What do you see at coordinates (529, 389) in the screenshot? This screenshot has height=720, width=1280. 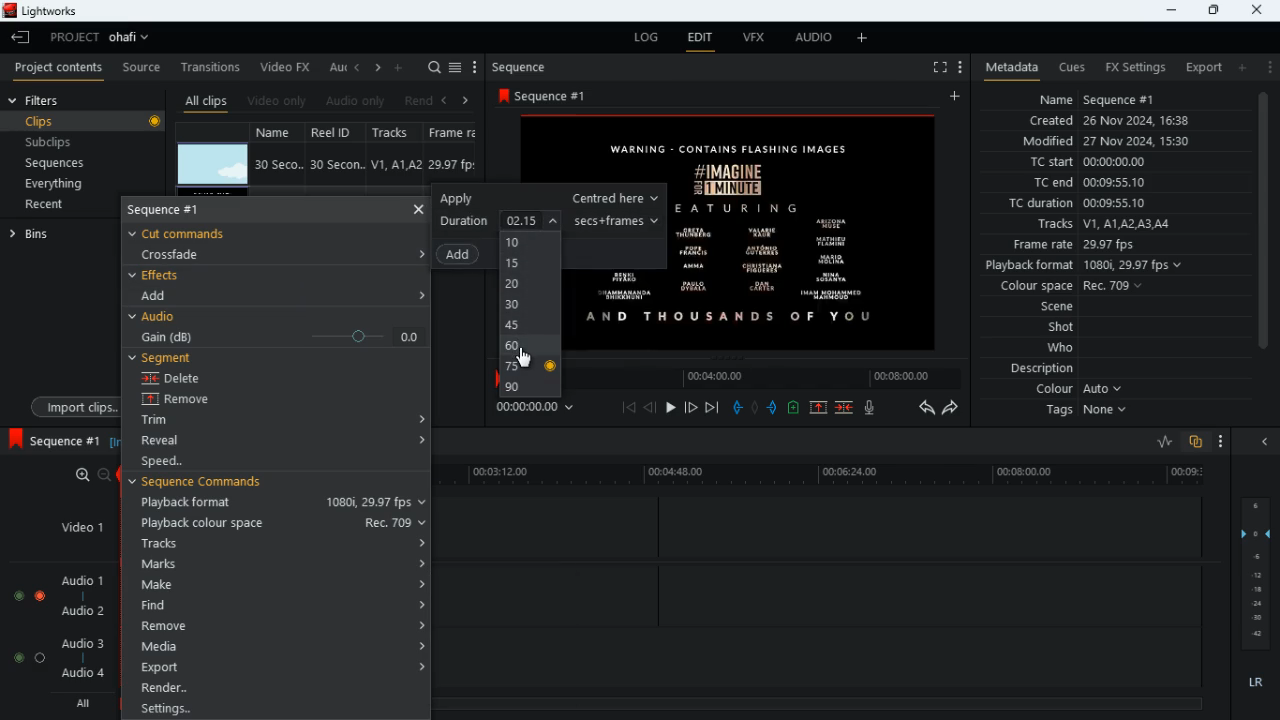 I see `90` at bounding box center [529, 389].